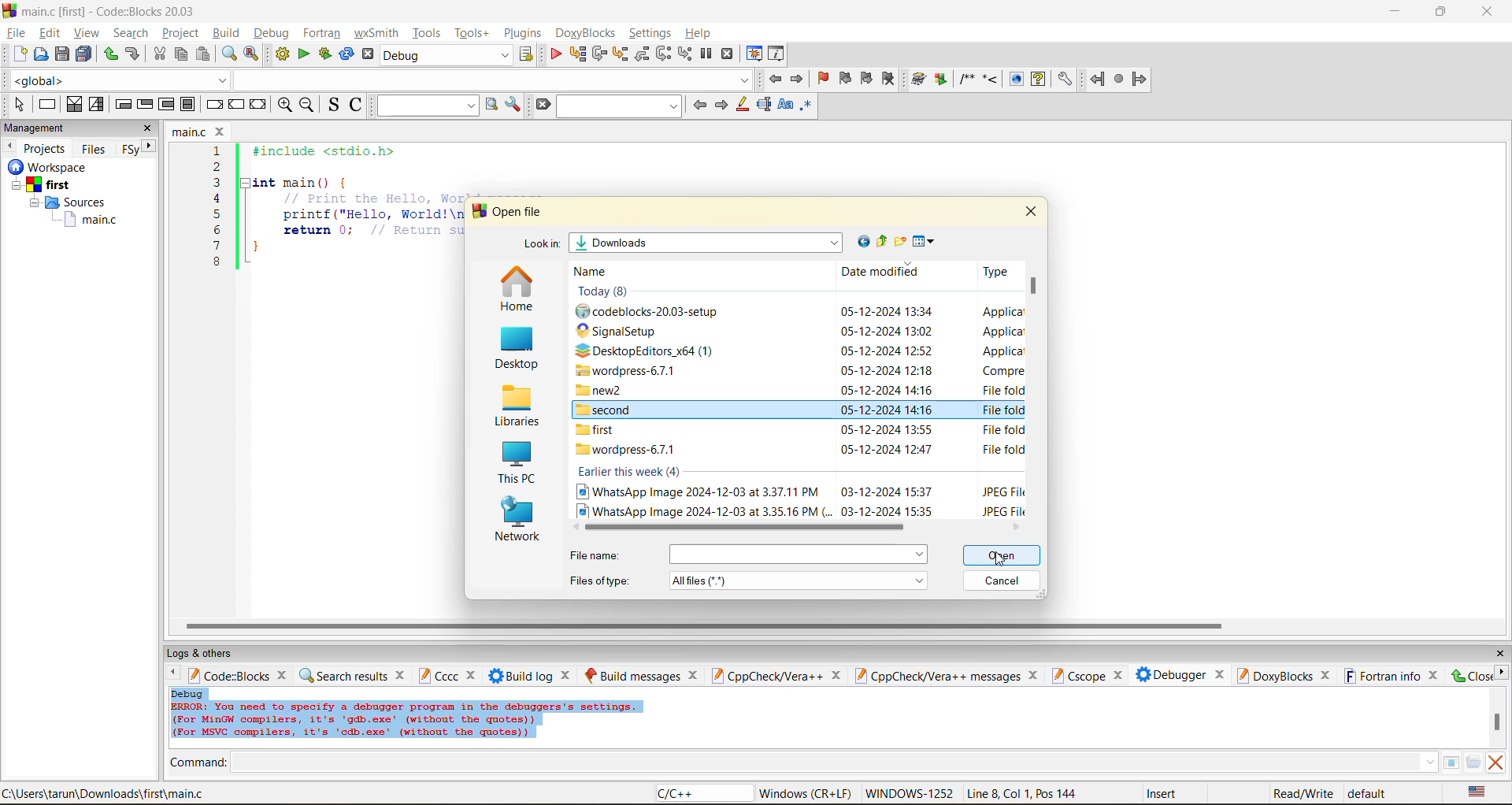 This screenshot has width=1512, height=805. What do you see at coordinates (284, 674) in the screenshot?
I see `close` at bounding box center [284, 674].